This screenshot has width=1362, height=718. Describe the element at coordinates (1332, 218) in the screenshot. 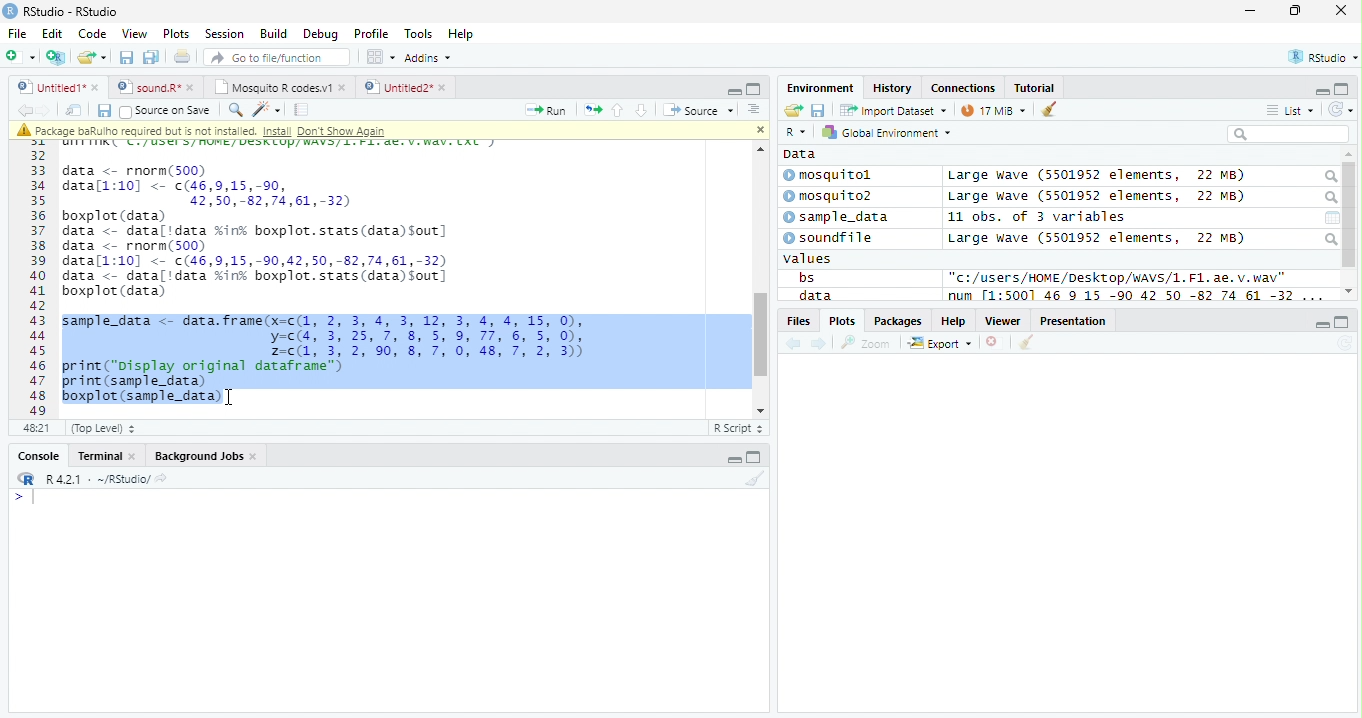

I see `Calendar` at that location.